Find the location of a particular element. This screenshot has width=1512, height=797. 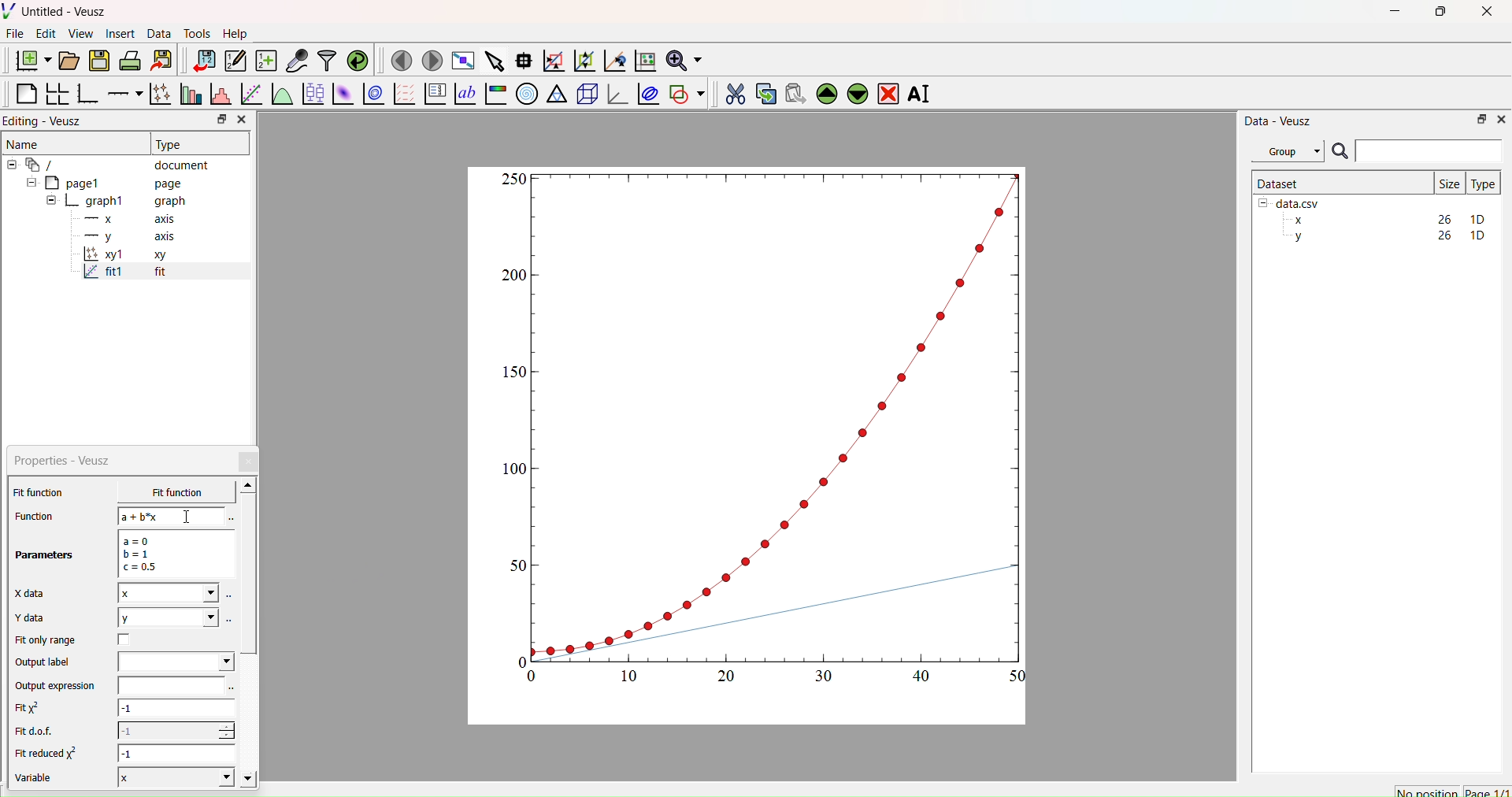

Fit a function to data is located at coordinates (250, 95).